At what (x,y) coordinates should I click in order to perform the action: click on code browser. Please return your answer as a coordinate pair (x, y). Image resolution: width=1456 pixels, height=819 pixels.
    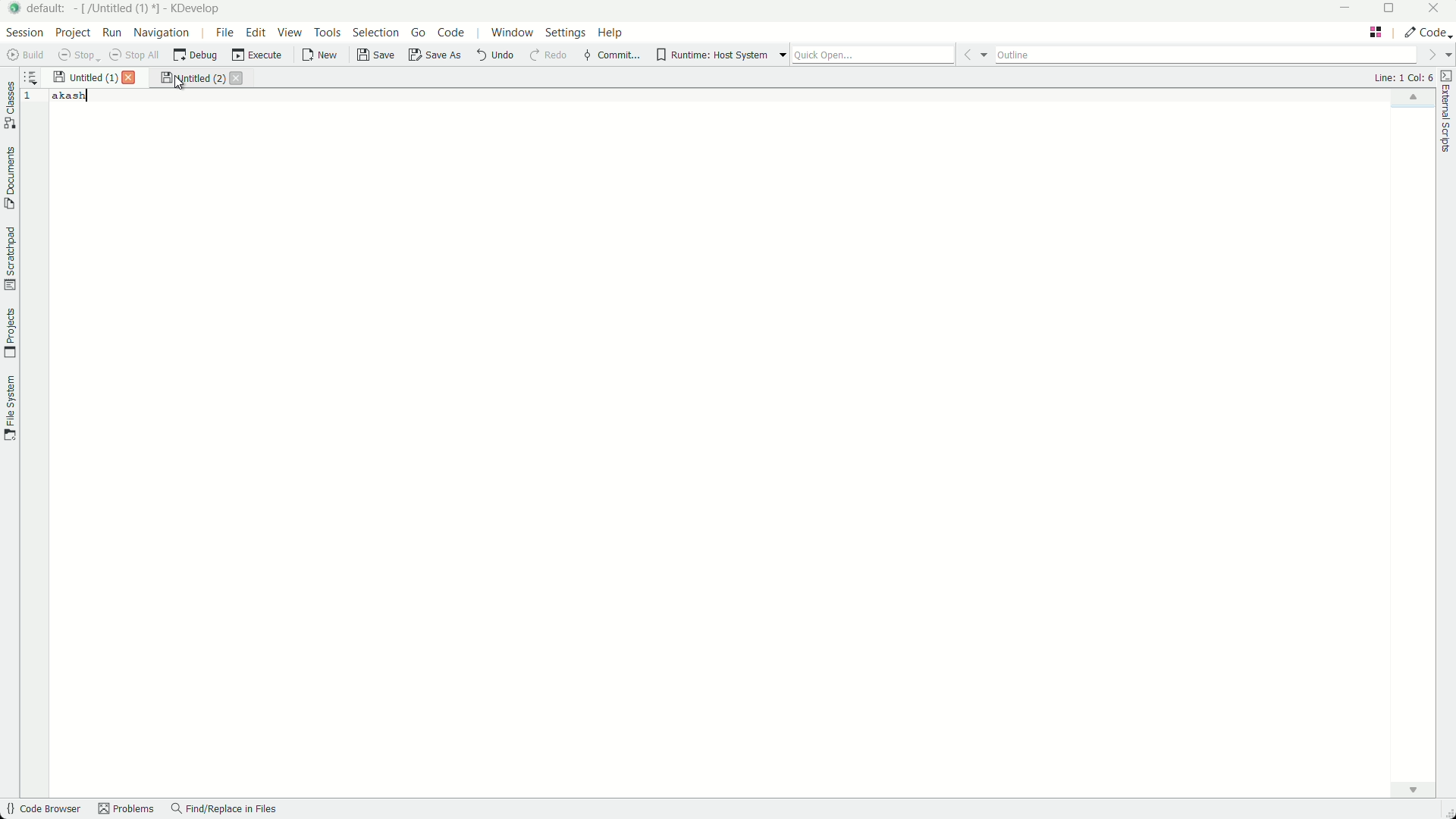
    Looking at the image, I should click on (45, 810).